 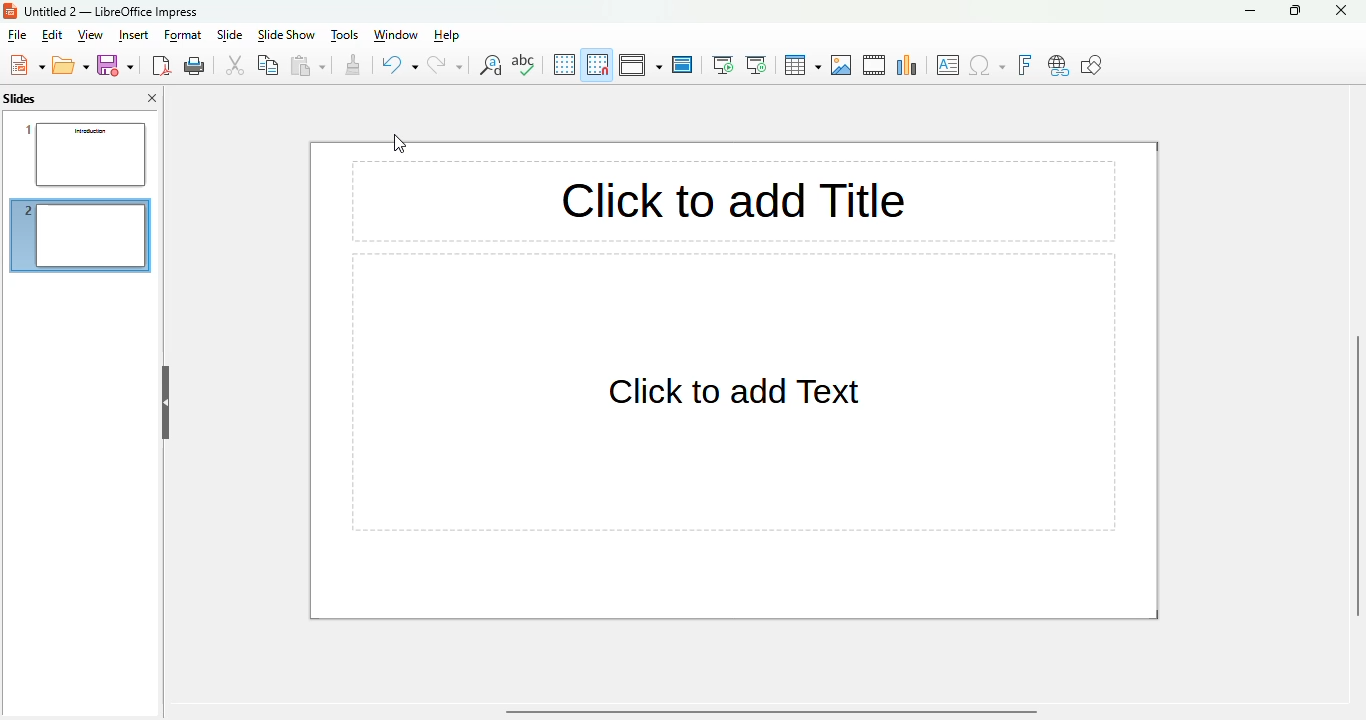 I want to click on logo, so click(x=10, y=10).